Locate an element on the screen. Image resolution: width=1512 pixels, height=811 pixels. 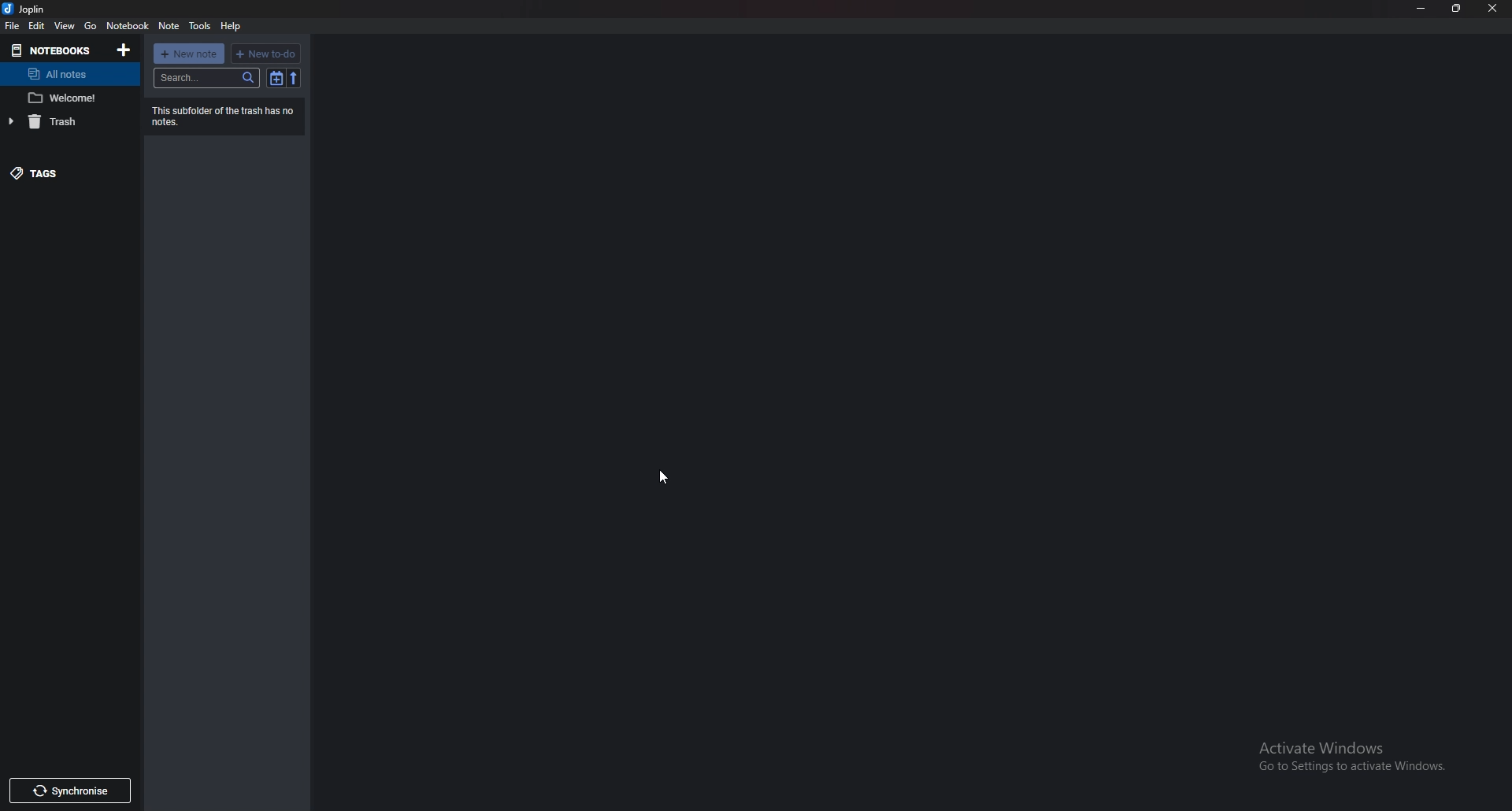
Synchronize is located at coordinates (72, 791).